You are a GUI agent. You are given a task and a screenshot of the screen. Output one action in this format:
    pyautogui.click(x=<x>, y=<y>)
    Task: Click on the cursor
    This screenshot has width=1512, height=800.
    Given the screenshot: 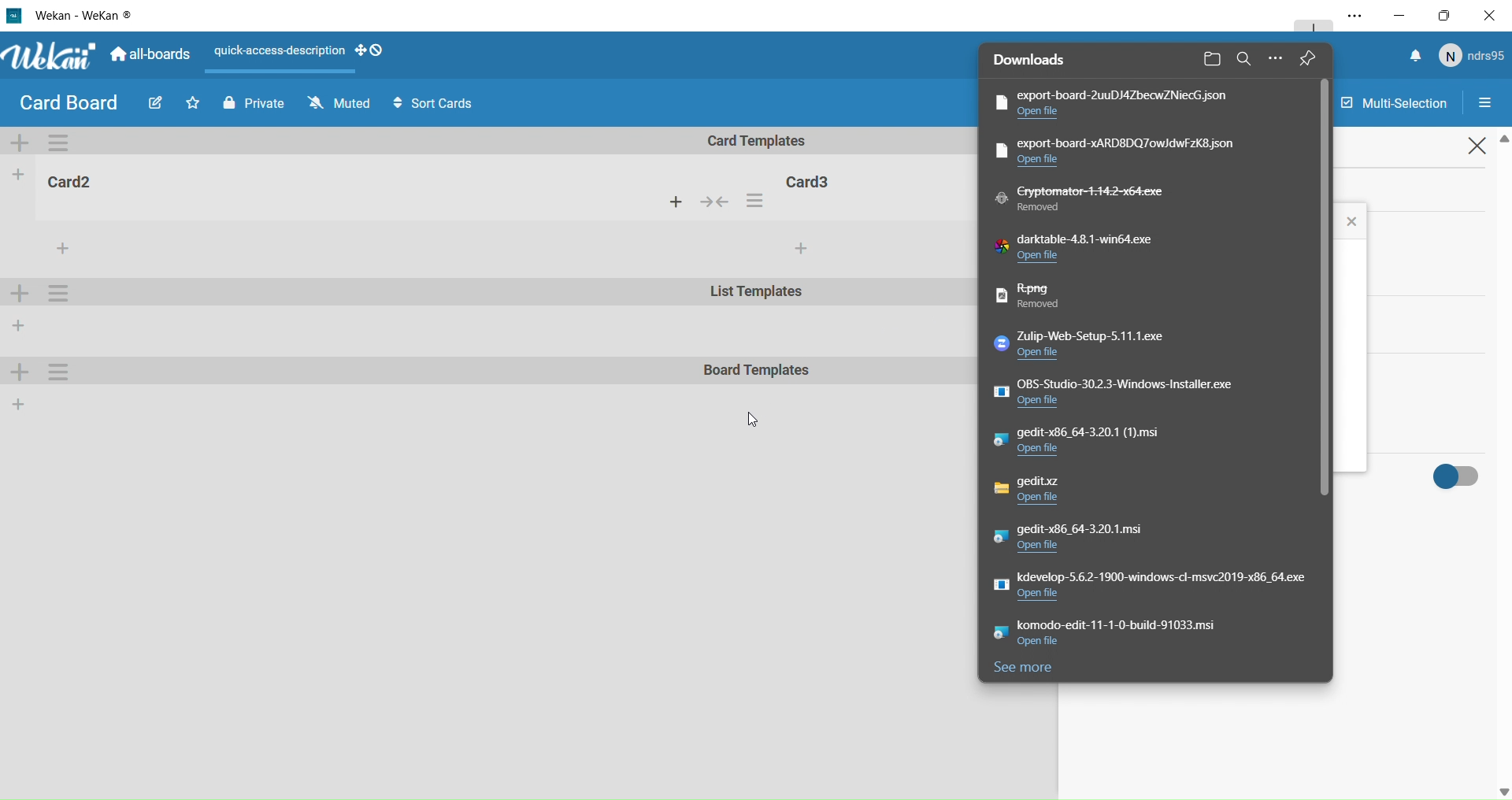 What is the action you would take?
    pyautogui.click(x=754, y=421)
    